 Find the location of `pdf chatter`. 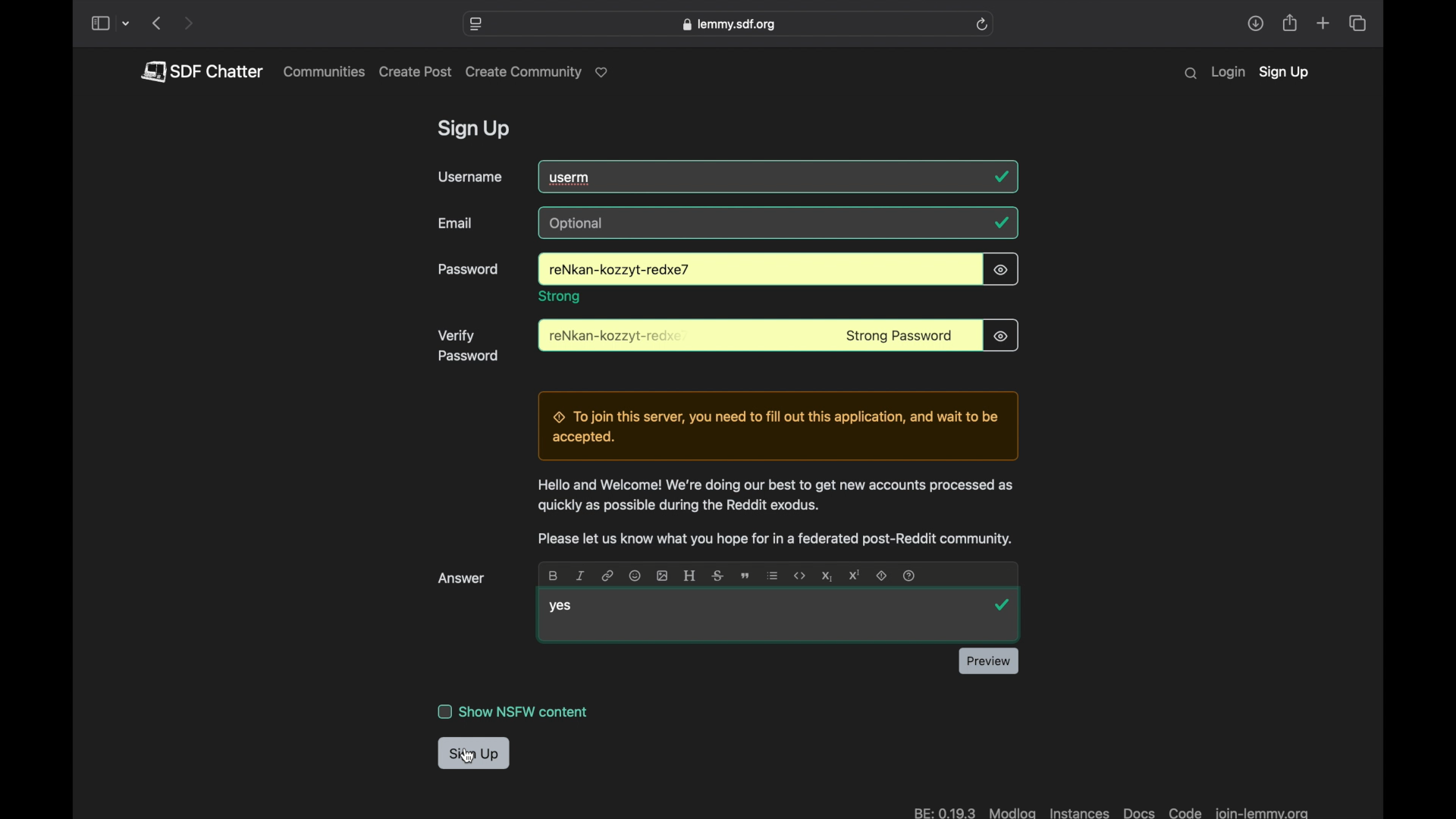

pdf chatter is located at coordinates (201, 71).